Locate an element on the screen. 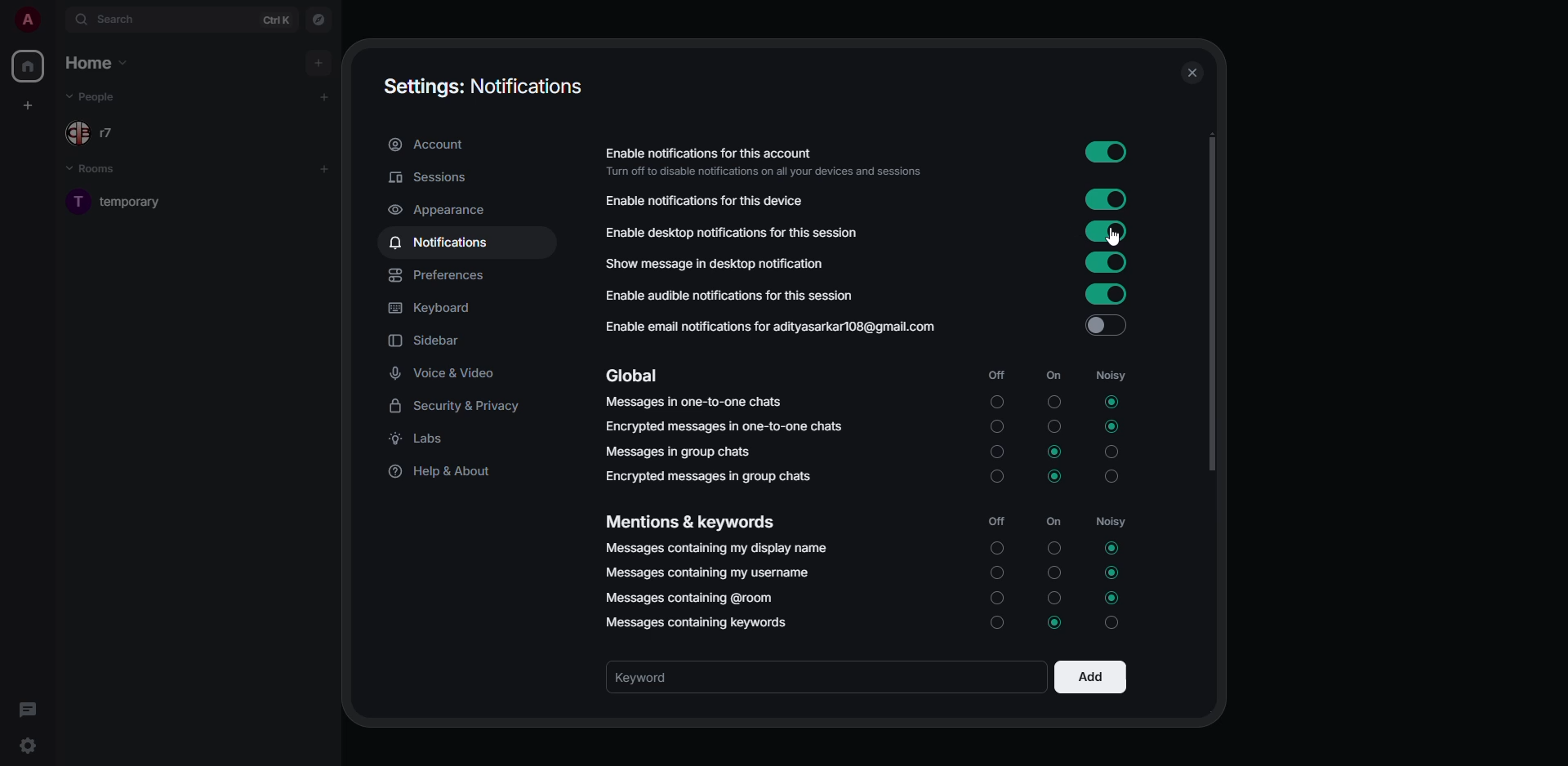  sessions is located at coordinates (433, 176).